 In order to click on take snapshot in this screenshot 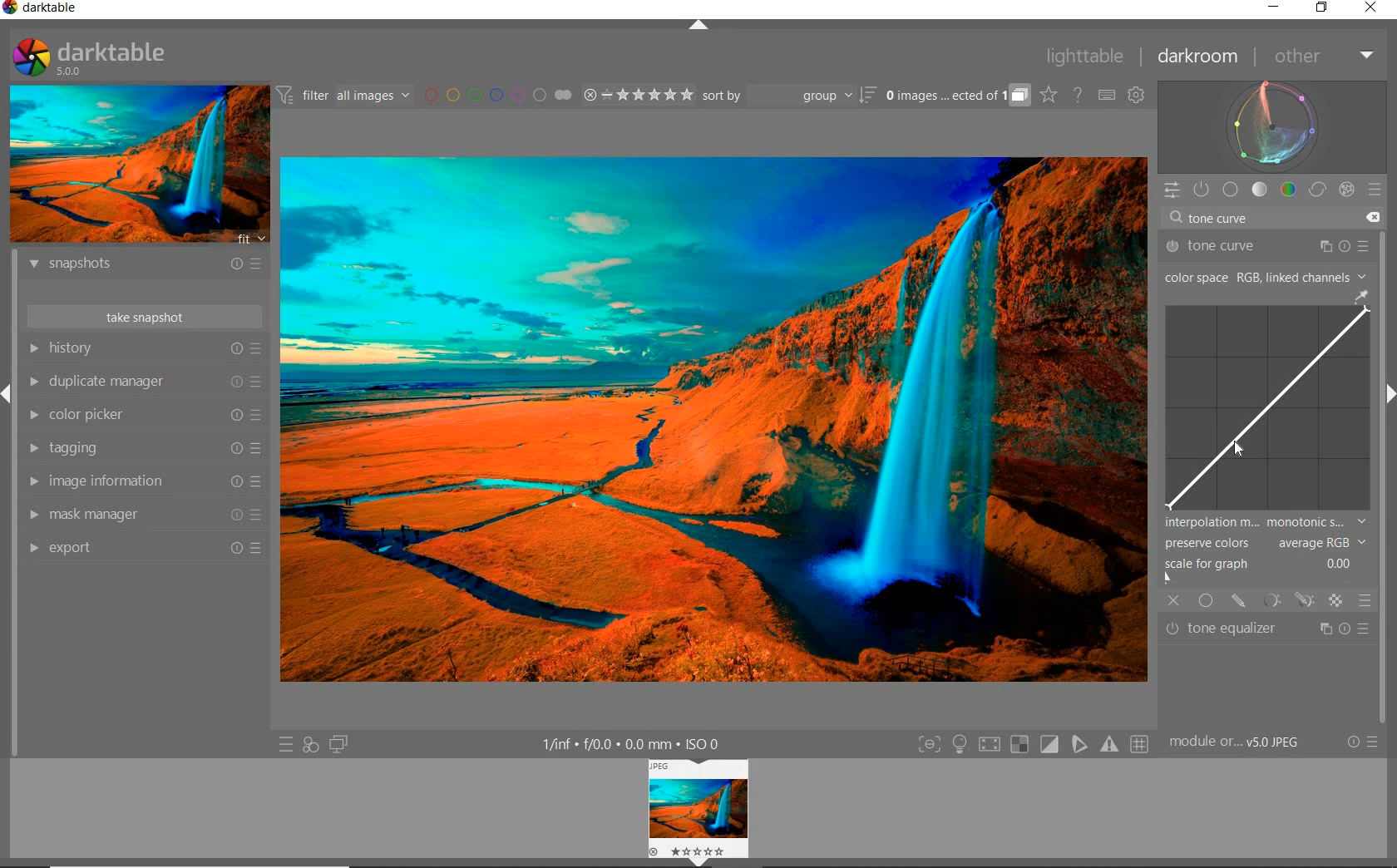, I will do `click(144, 315)`.